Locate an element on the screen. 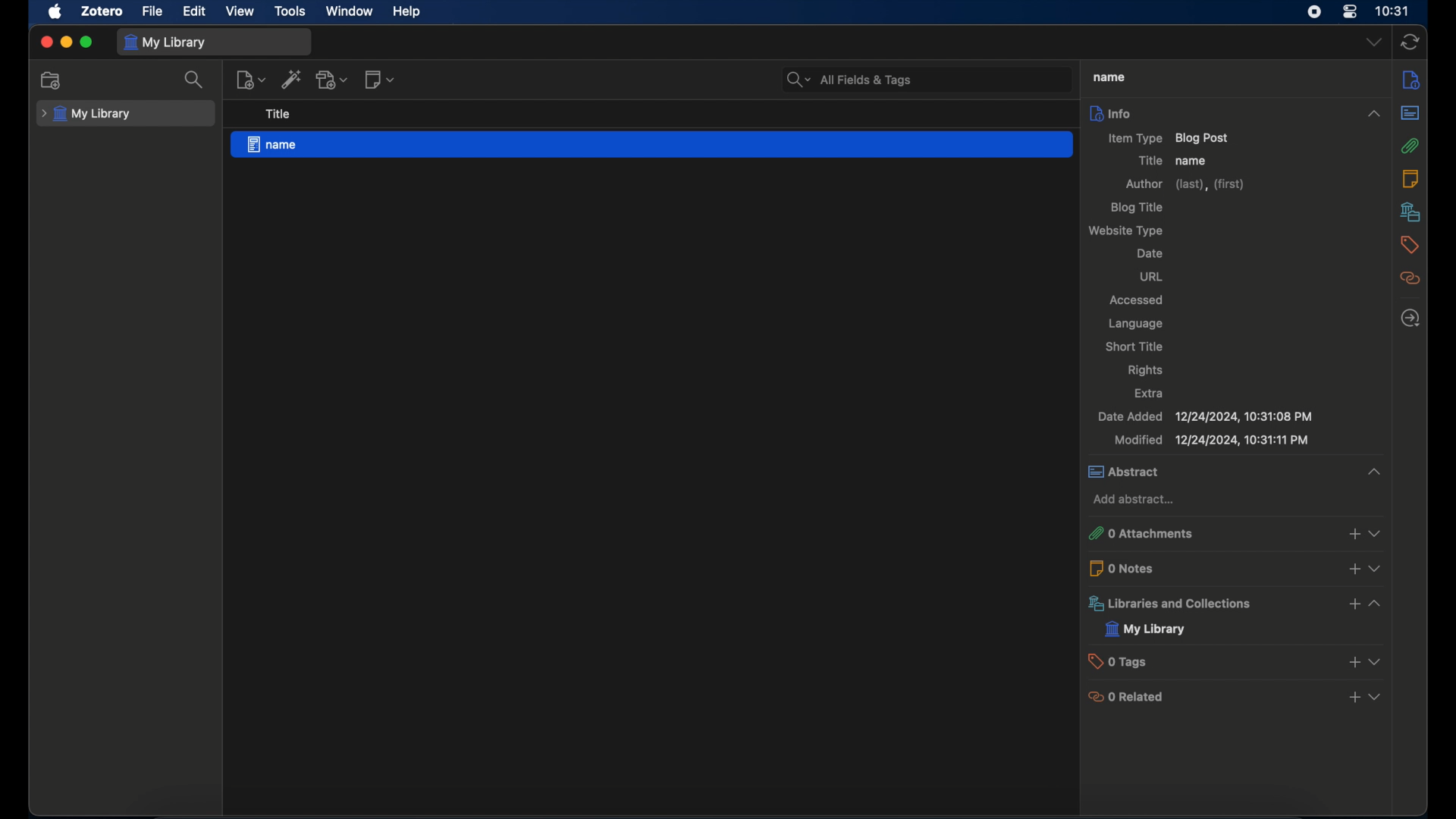 This screenshot has height=819, width=1456. website type is located at coordinates (1128, 231).